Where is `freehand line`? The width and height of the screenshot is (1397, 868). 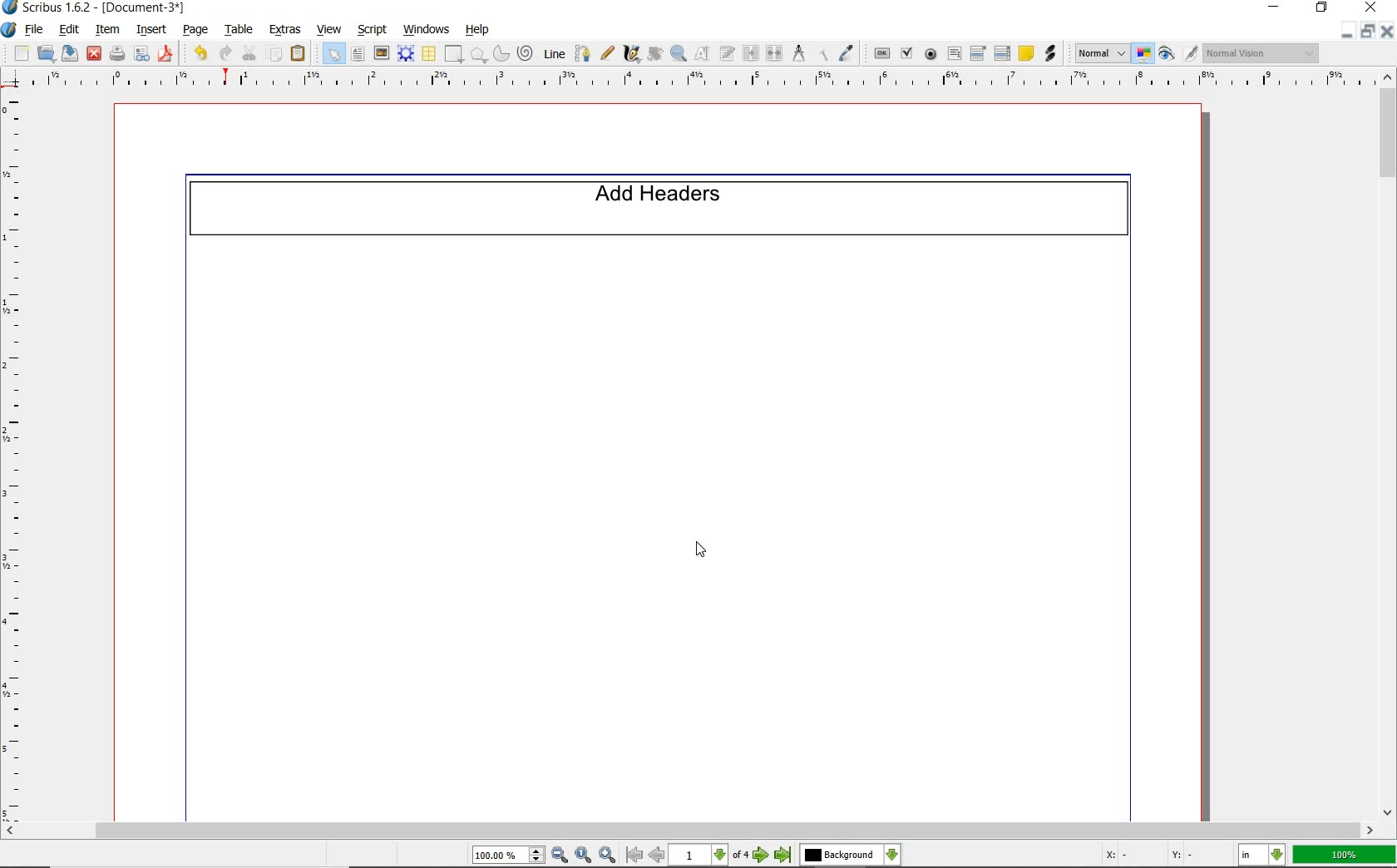
freehand line is located at coordinates (607, 54).